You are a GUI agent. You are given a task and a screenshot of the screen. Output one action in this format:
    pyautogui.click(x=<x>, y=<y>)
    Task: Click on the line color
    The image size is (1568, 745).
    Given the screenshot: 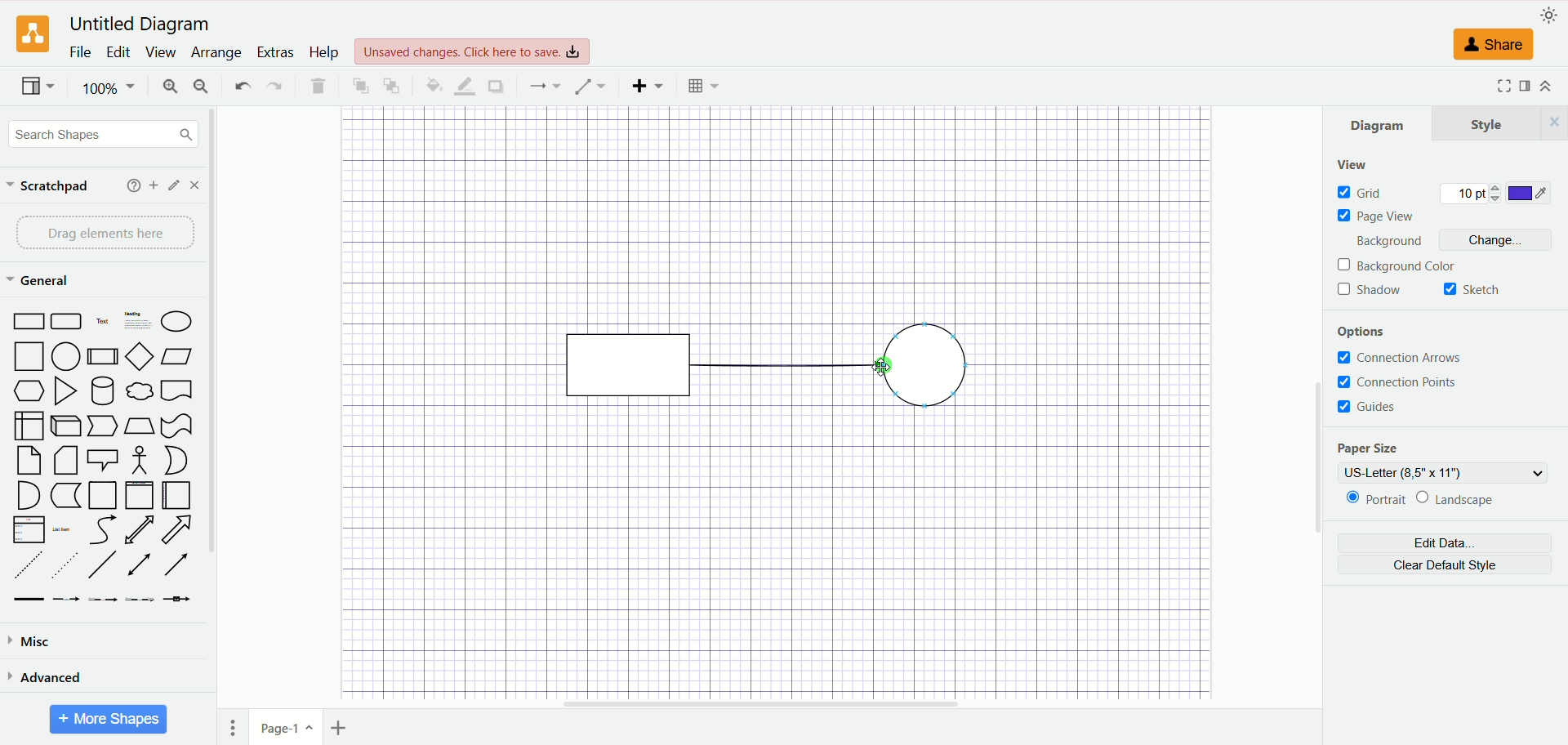 What is the action you would take?
    pyautogui.click(x=466, y=87)
    